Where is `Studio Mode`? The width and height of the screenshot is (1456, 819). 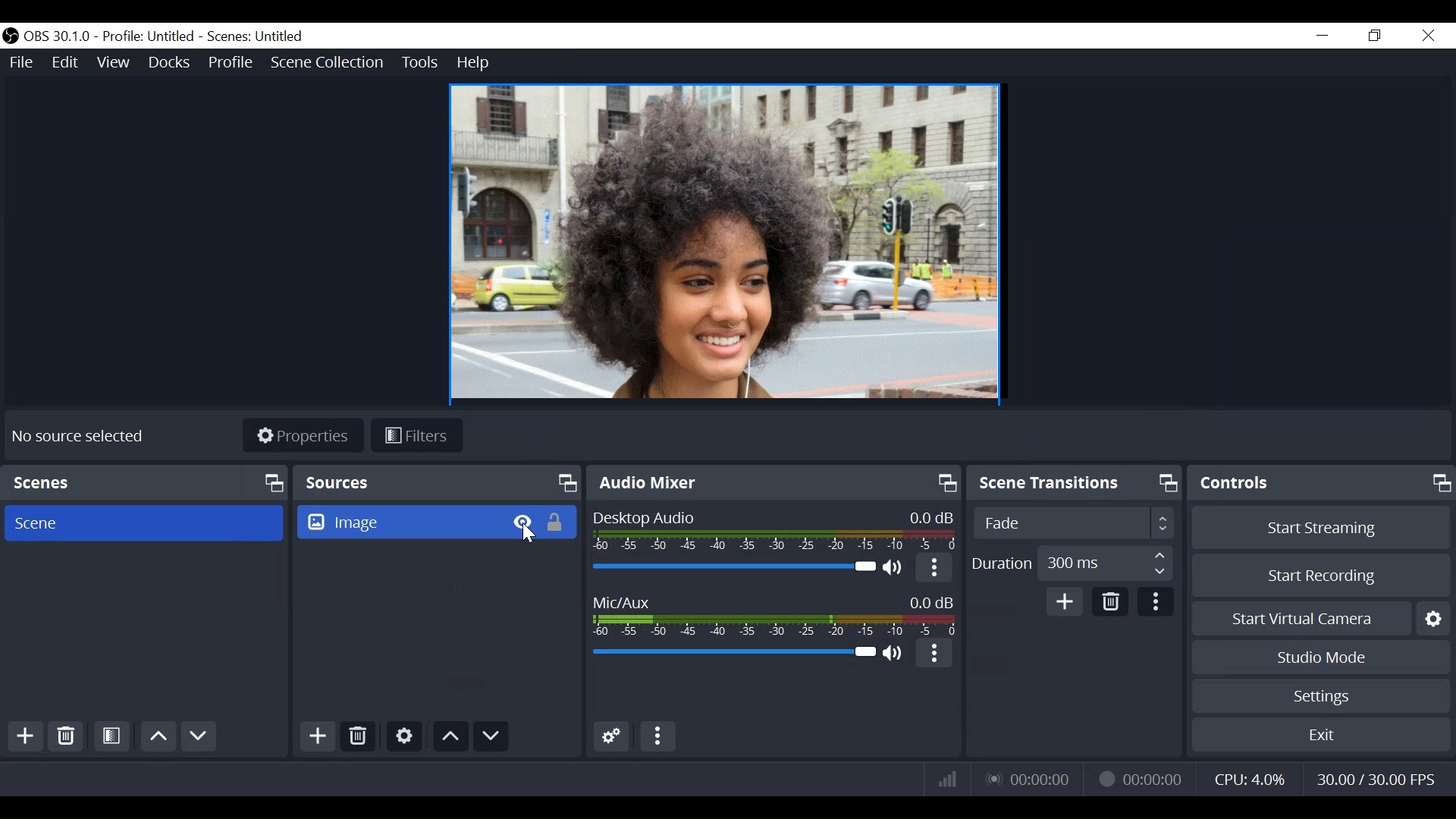 Studio Mode is located at coordinates (1320, 656).